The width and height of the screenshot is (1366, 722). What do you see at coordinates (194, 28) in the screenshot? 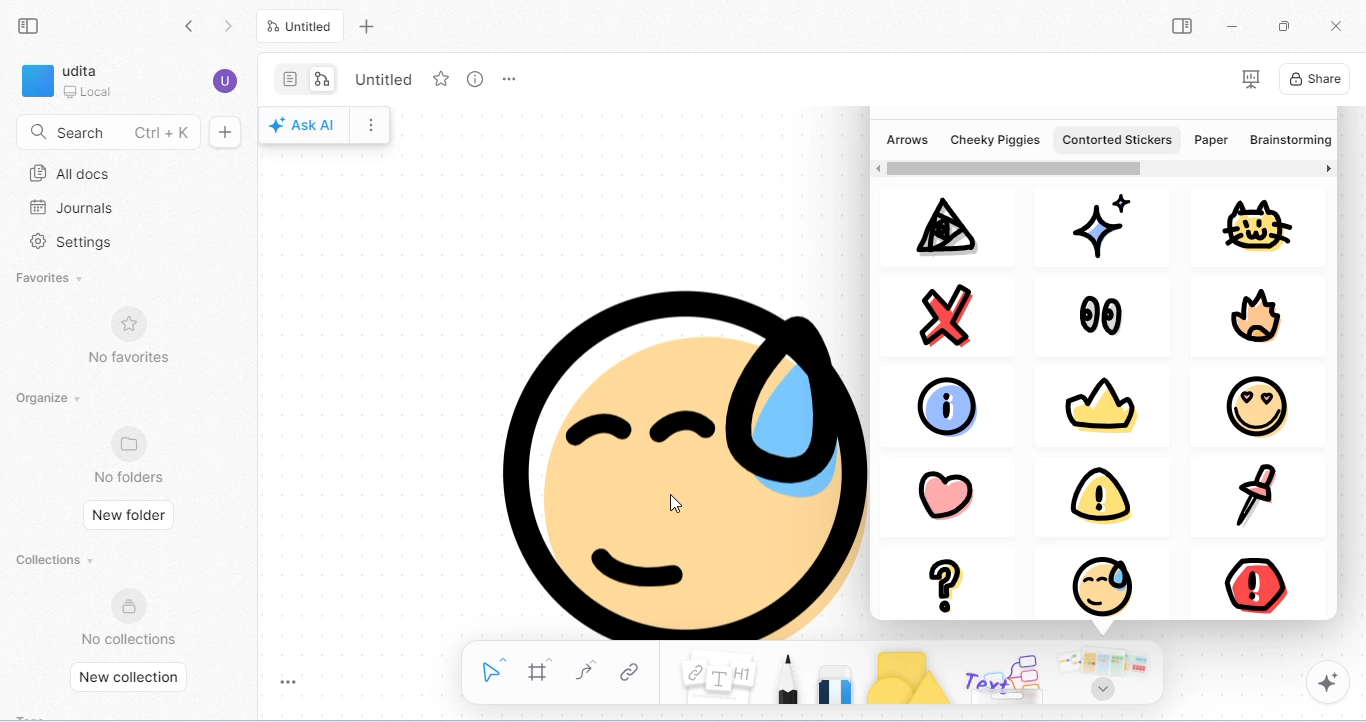
I see `go back` at bounding box center [194, 28].